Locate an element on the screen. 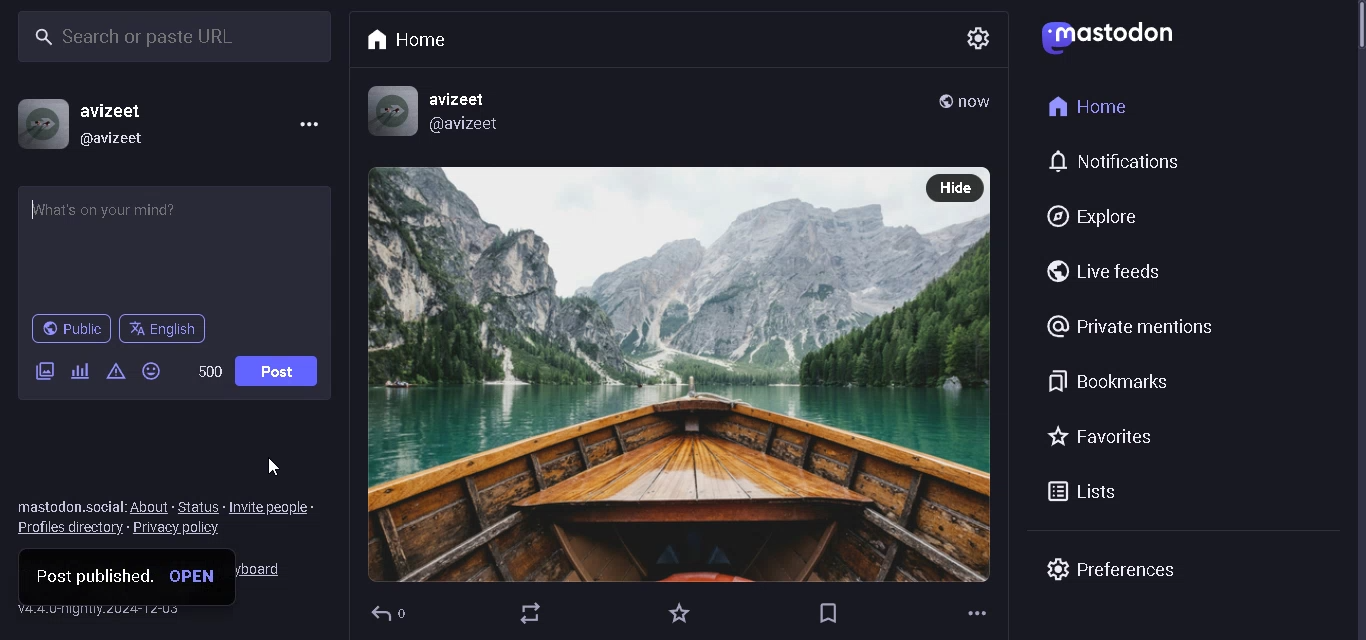  bookmark is located at coordinates (828, 613).